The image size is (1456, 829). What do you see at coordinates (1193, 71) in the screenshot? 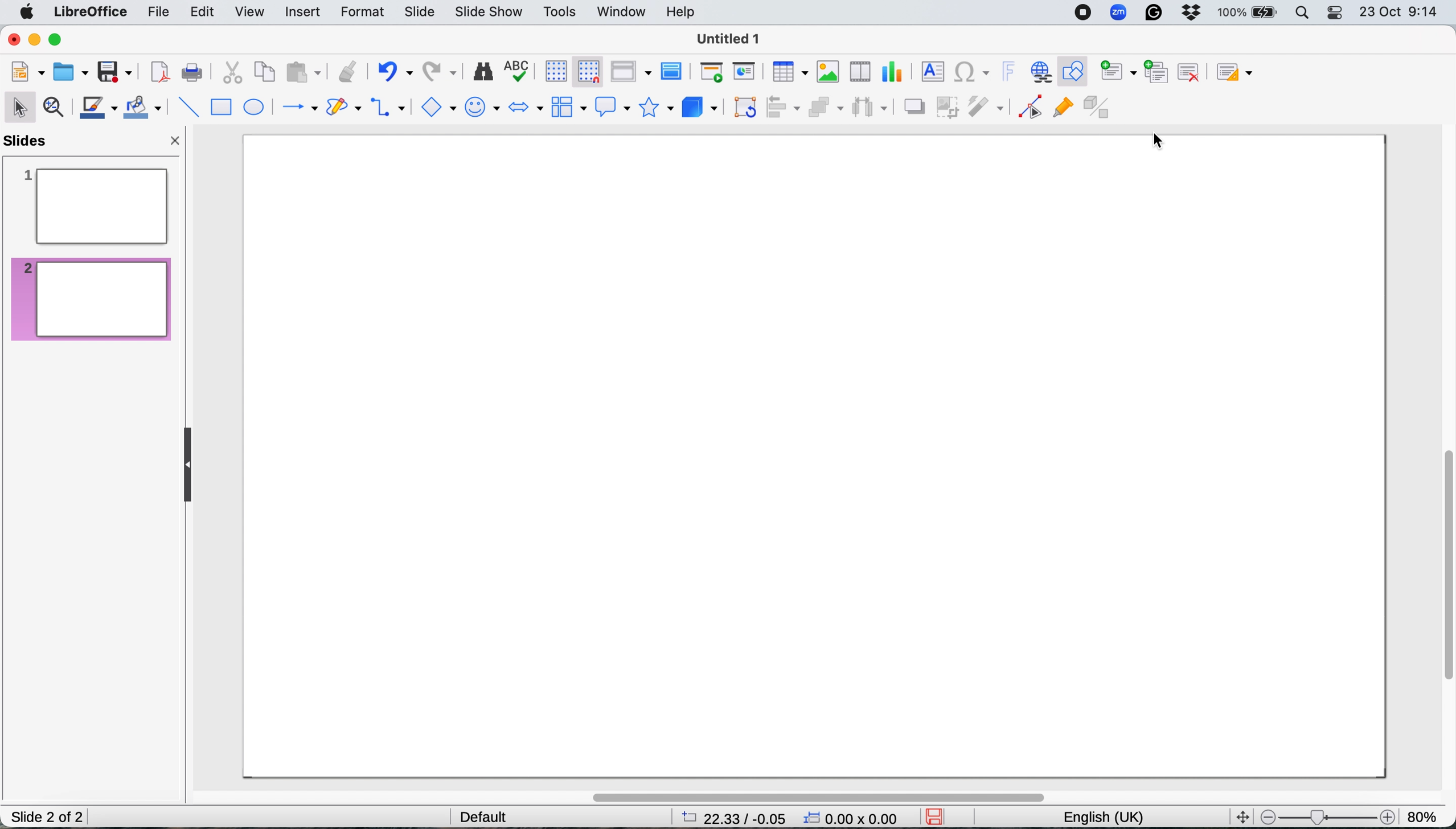
I see `delete slide` at bounding box center [1193, 71].